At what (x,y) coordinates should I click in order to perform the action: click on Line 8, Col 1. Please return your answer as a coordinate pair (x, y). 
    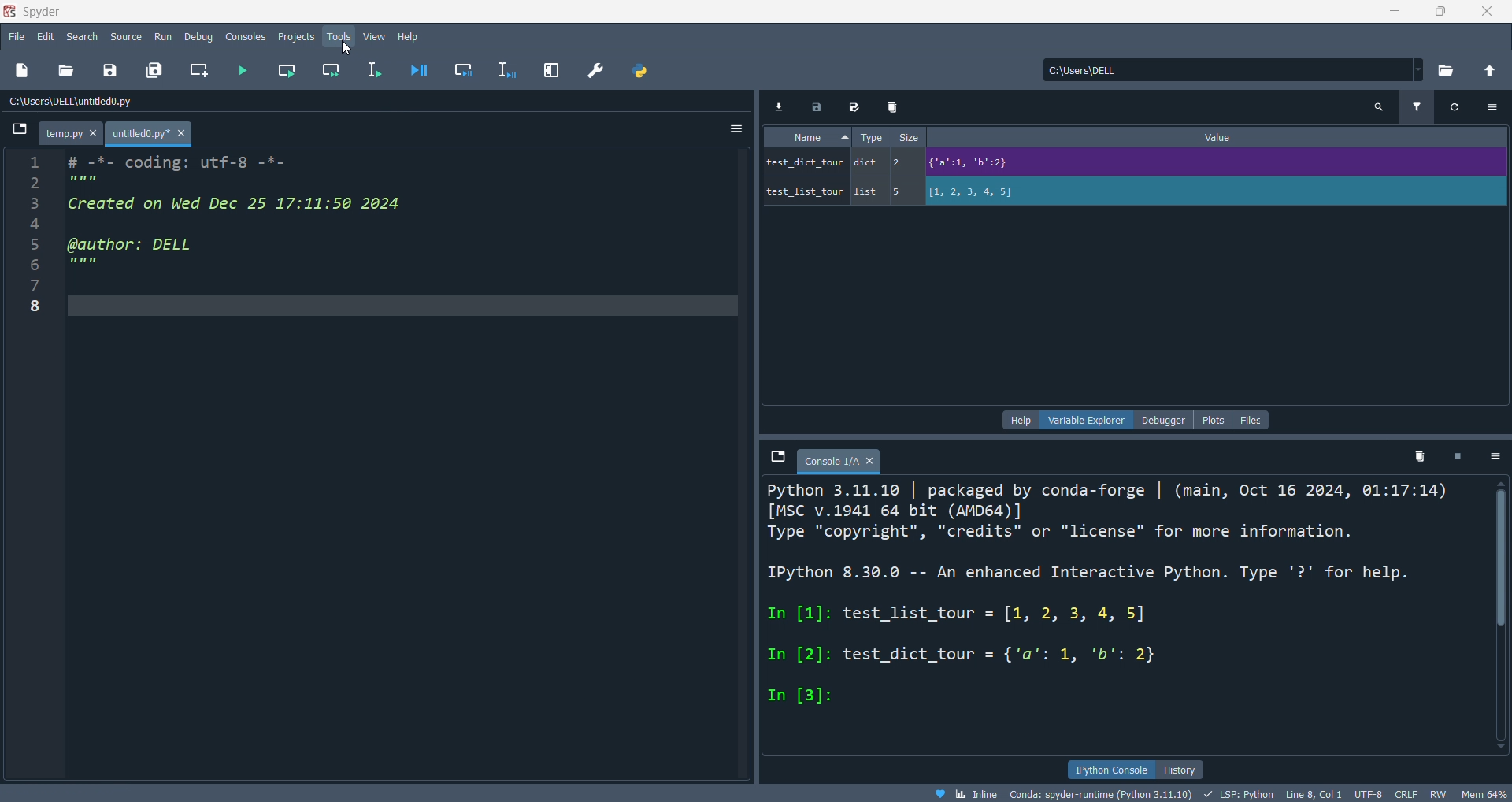
    Looking at the image, I should click on (1319, 793).